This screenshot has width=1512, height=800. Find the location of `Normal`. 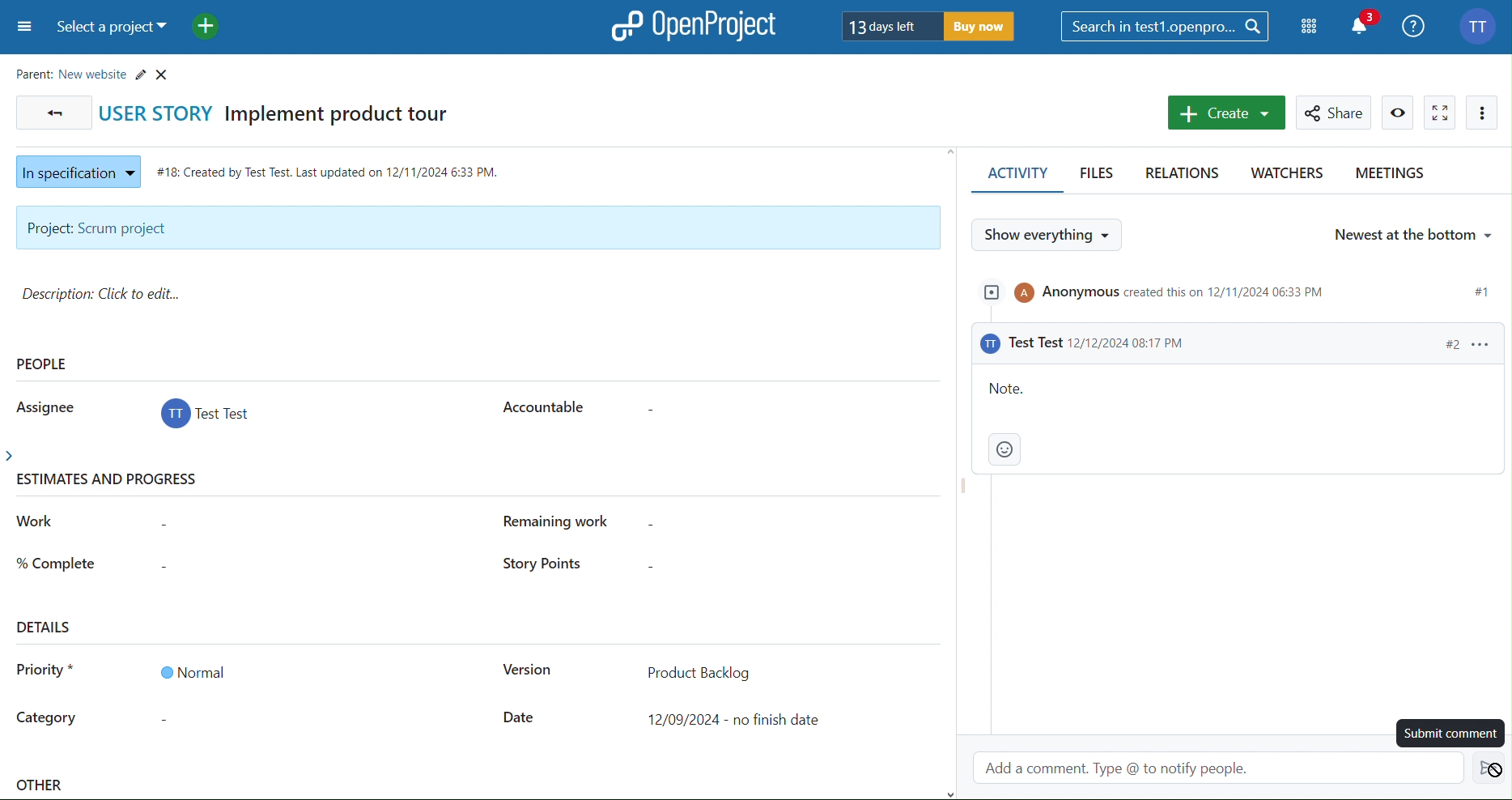

Normal is located at coordinates (192, 672).